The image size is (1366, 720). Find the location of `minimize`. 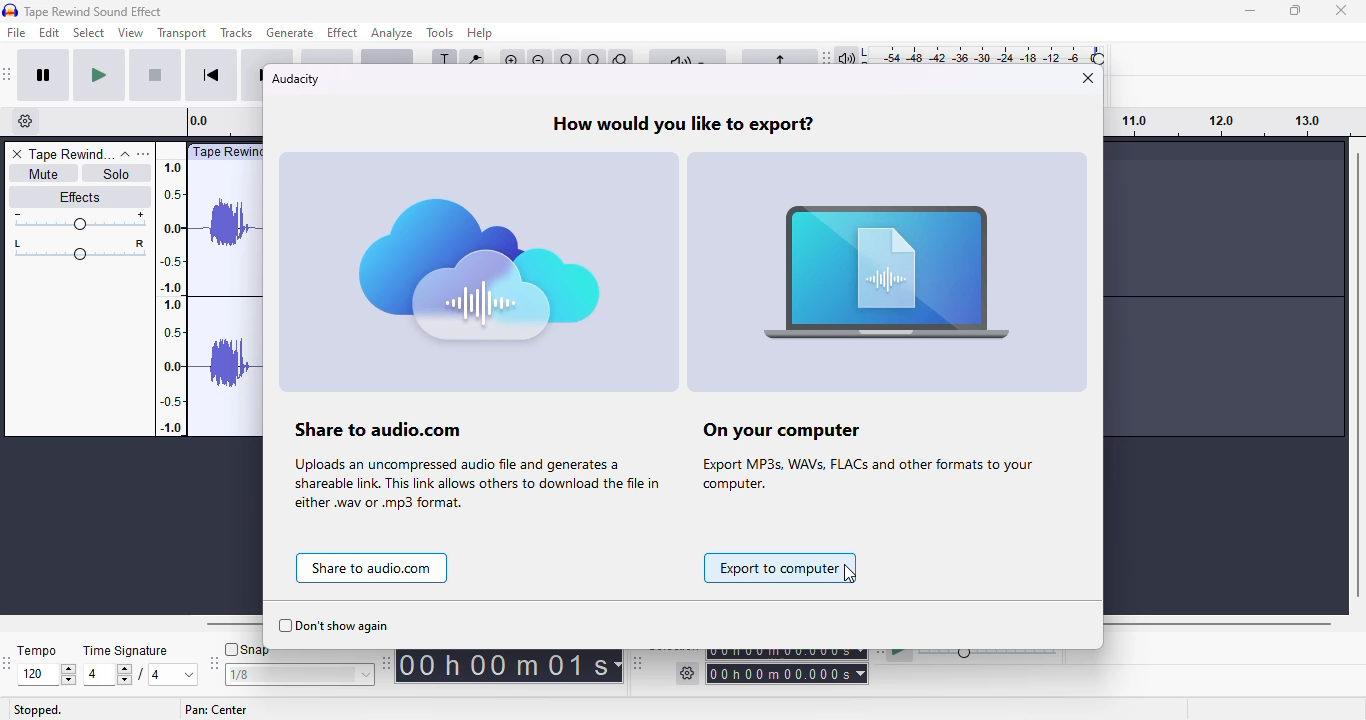

minimize is located at coordinates (1249, 11).